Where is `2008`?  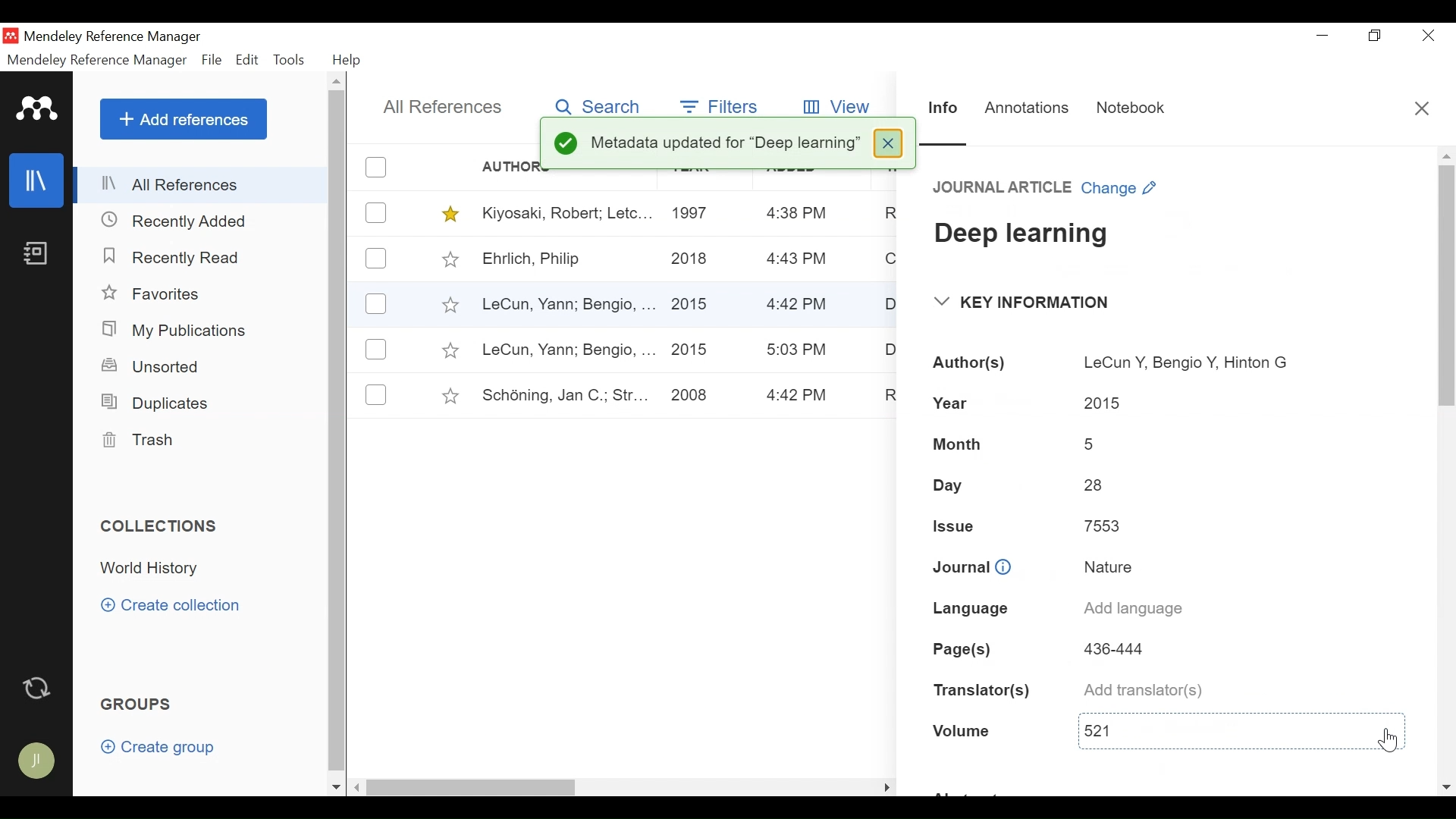
2008 is located at coordinates (689, 397).